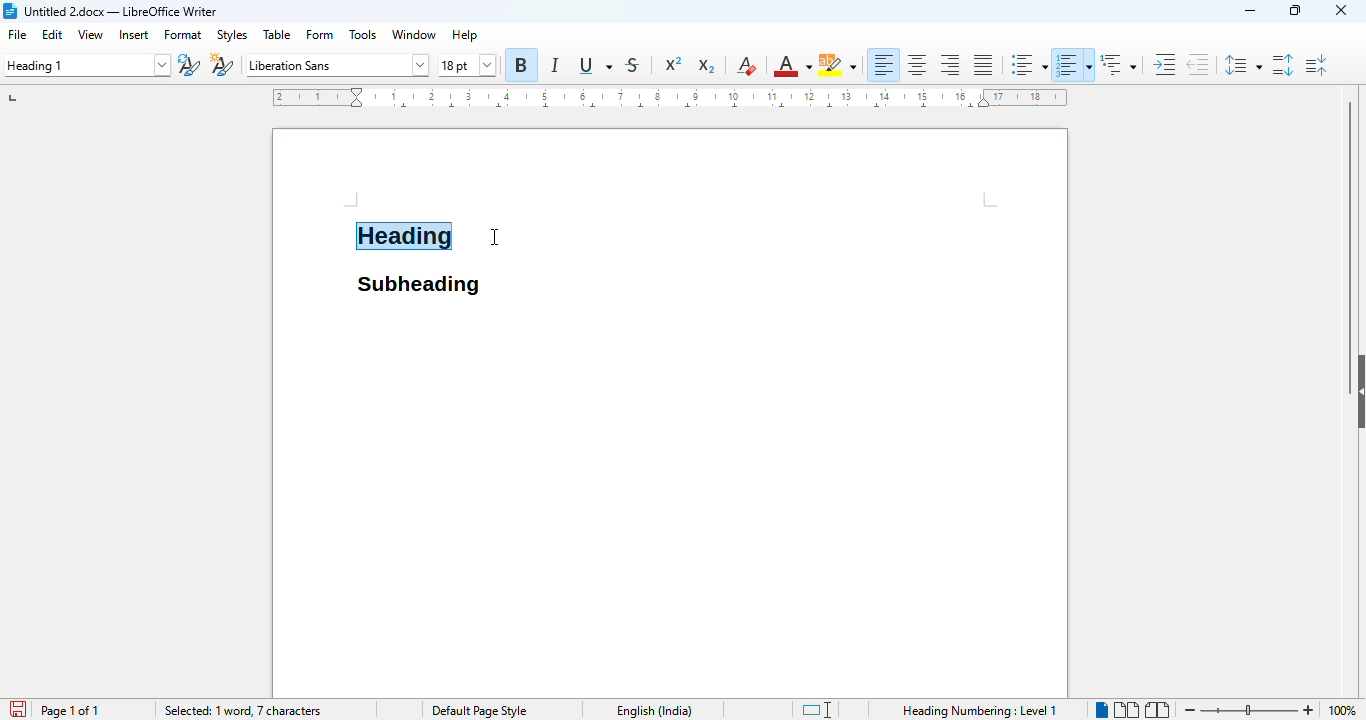 The width and height of the screenshot is (1366, 720). I want to click on underline unselected, so click(593, 66).